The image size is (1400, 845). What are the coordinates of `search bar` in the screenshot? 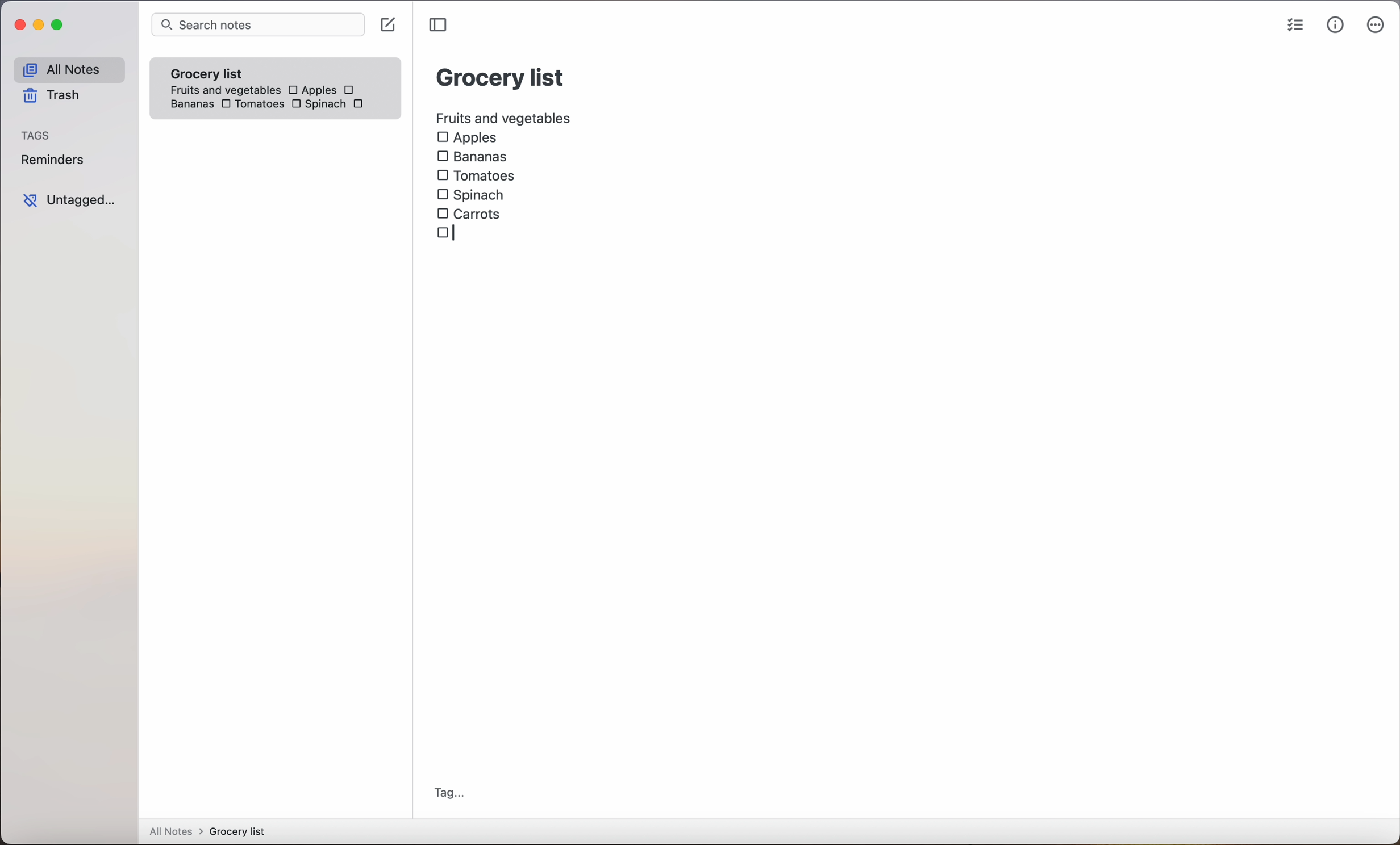 It's located at (257, 26).